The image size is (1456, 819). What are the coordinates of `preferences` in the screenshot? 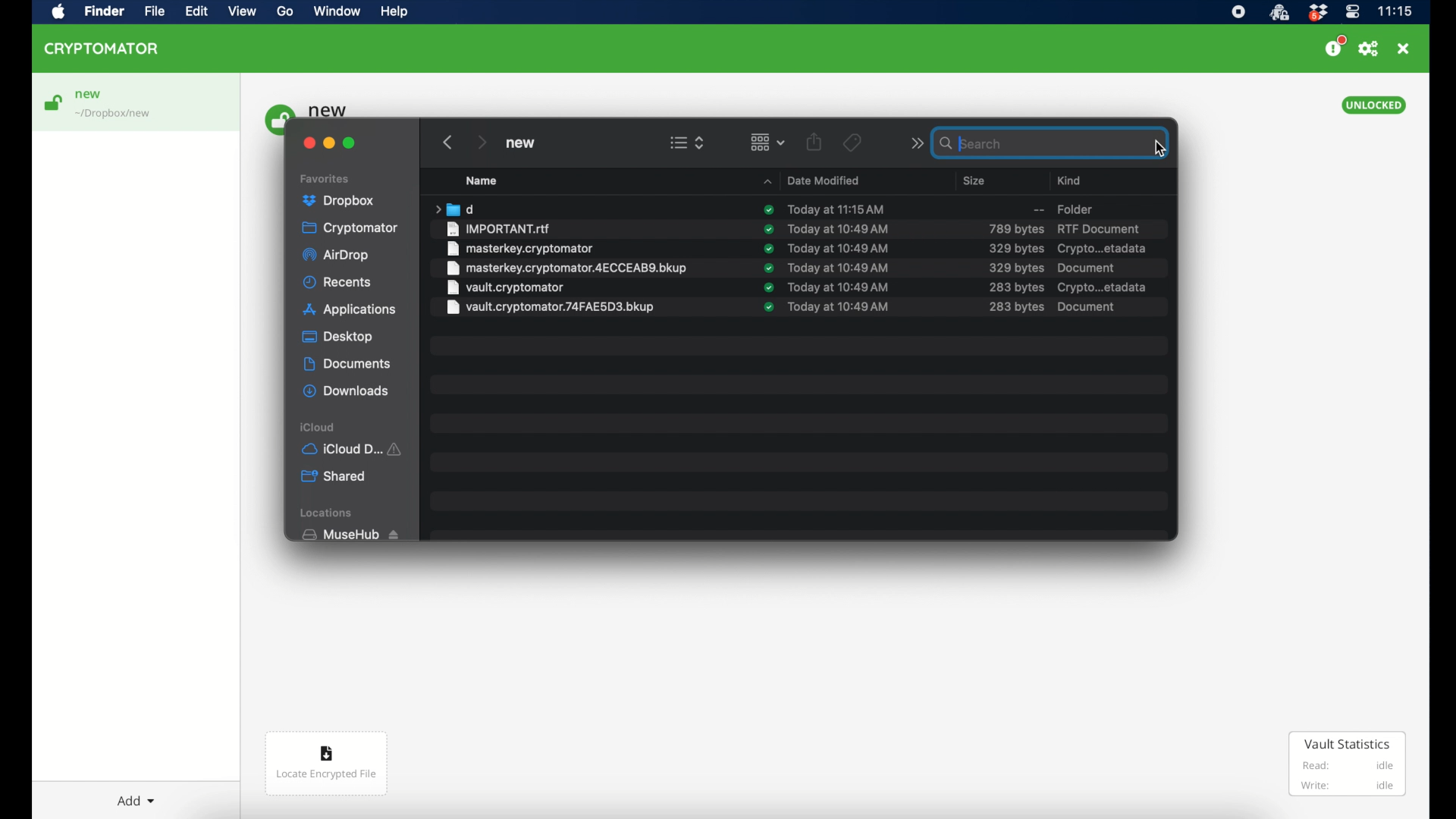 It's located at (1369, 49).